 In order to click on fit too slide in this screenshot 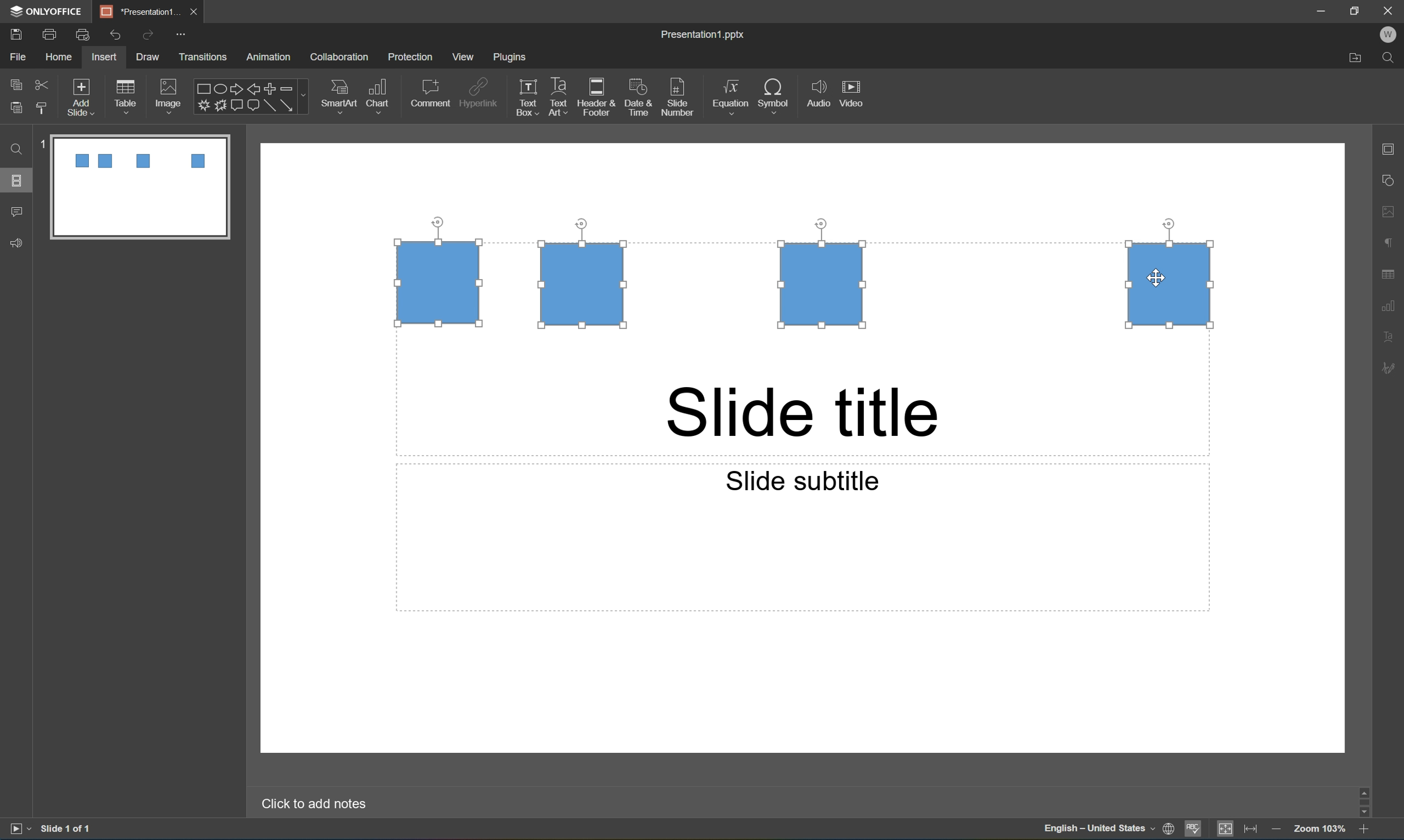, I will do `click(1226, 830)`.